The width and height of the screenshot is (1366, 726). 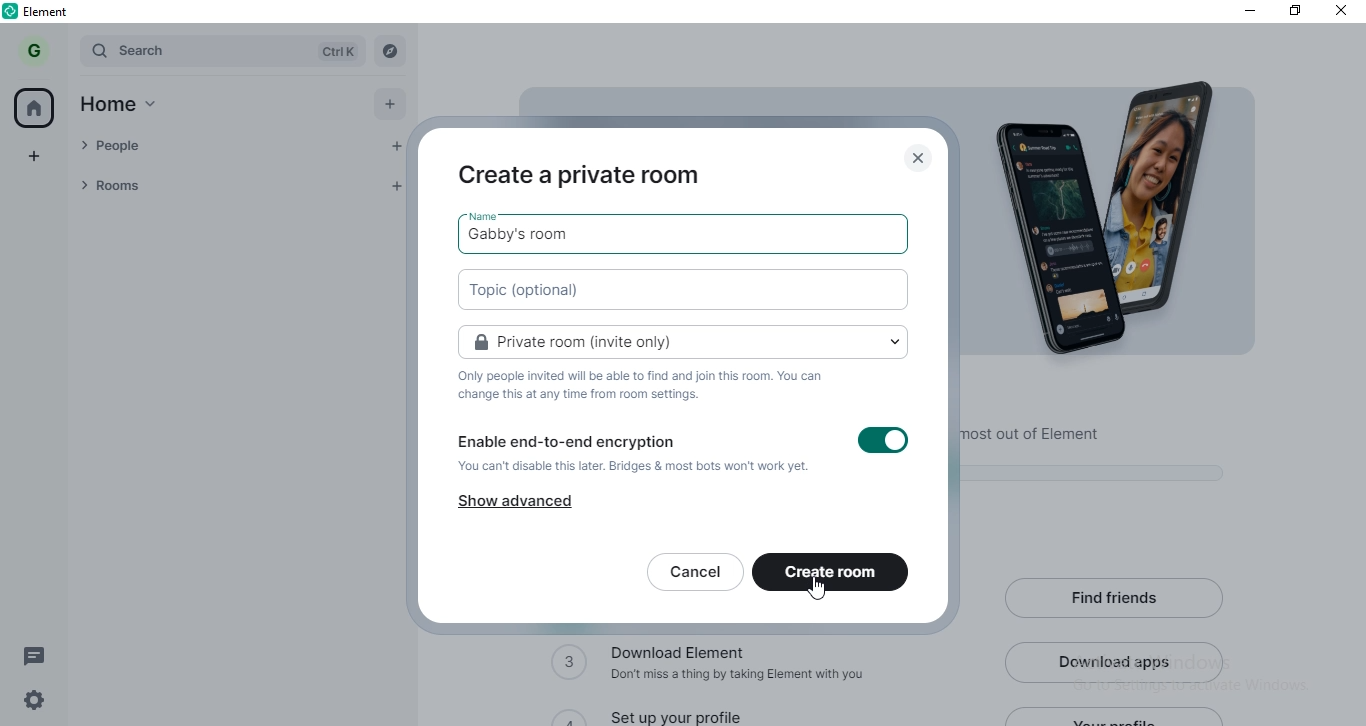 What do you see at coordinates (37, 107) in the screenshot?
I see `home` at bounding box center [37, 107].